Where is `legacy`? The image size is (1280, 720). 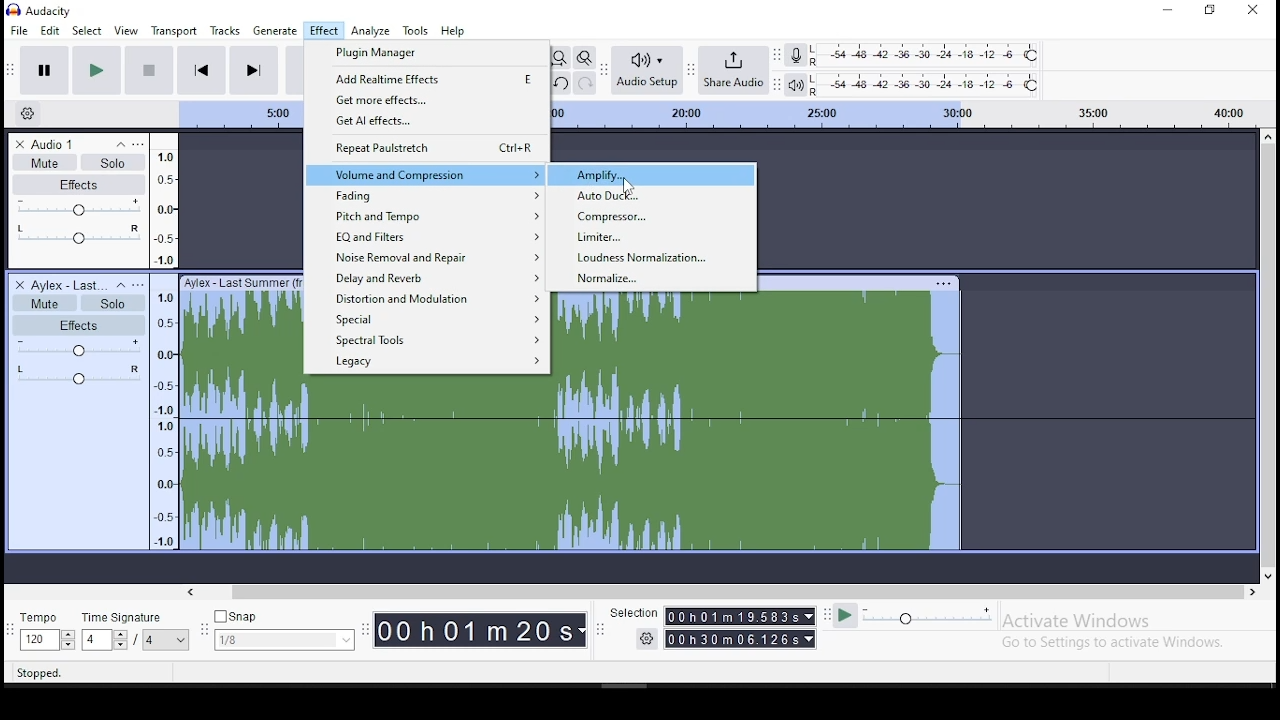 legacy is located at coordinates (433, 362).